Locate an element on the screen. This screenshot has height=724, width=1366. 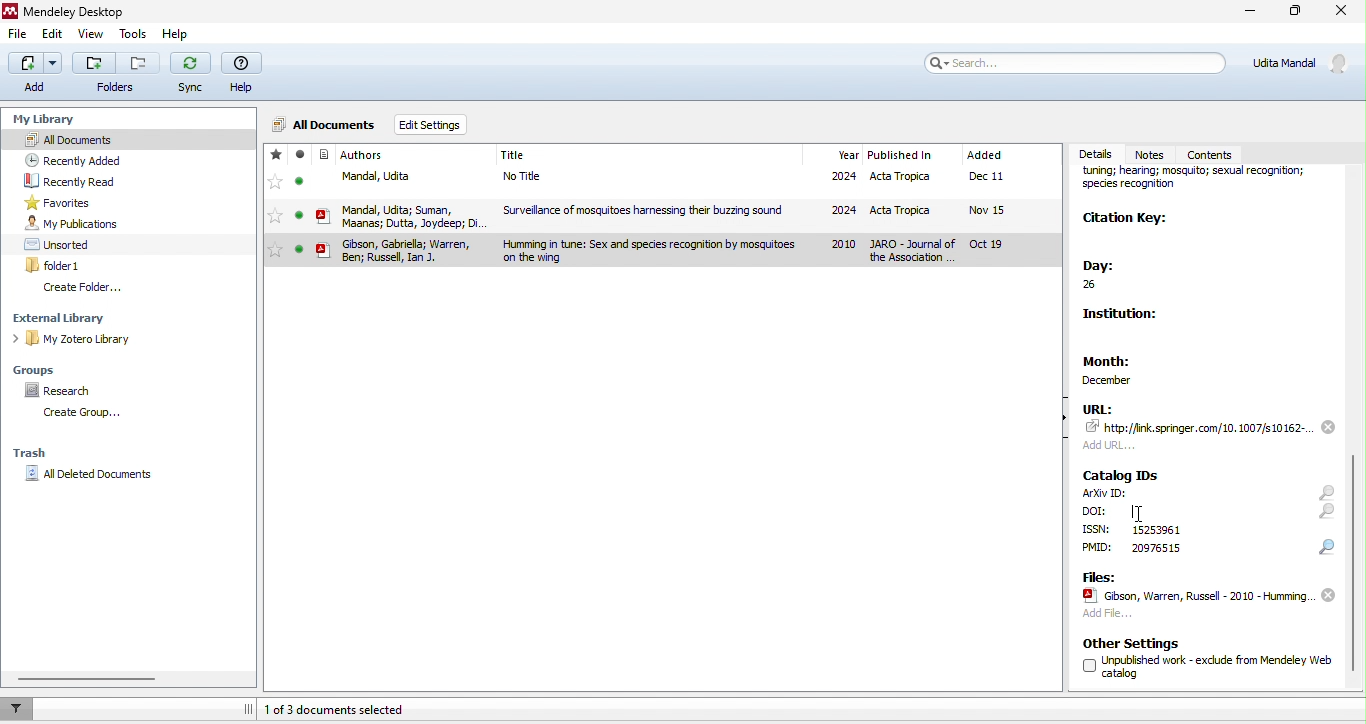
my publication is located at coordinates (72, 224).